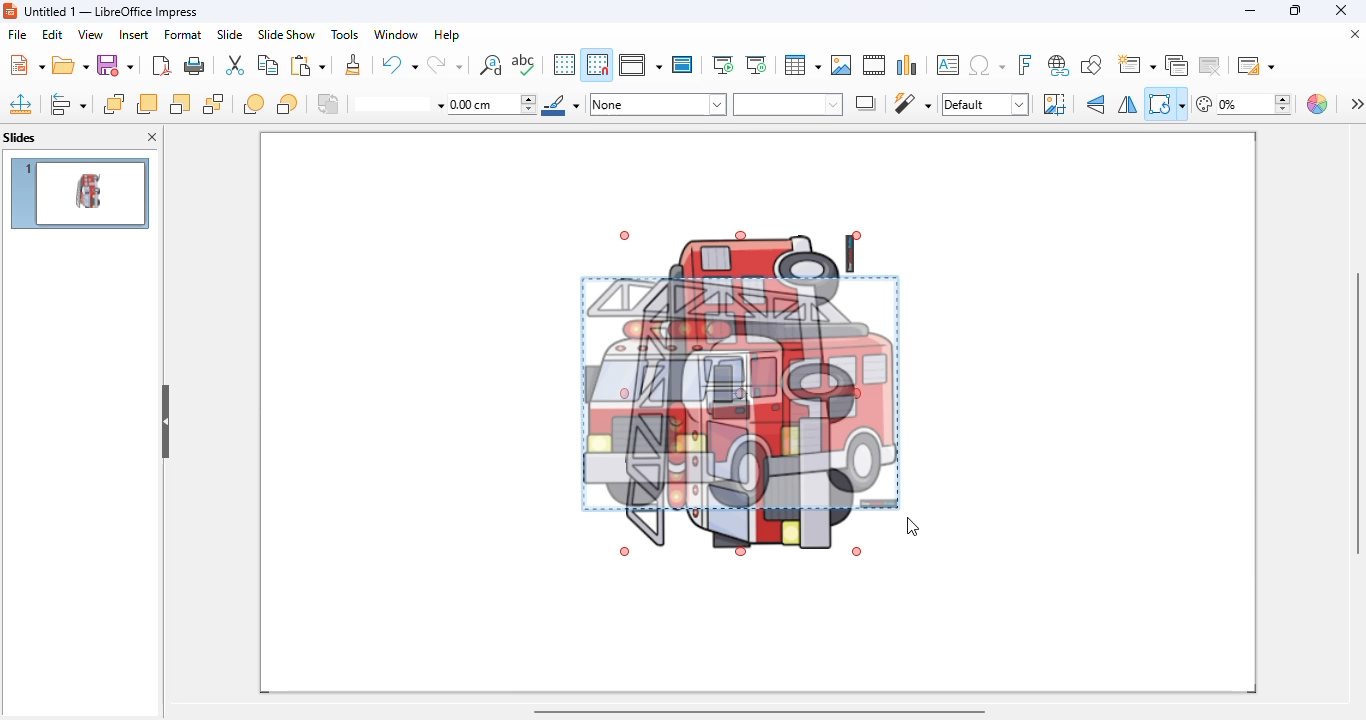 The width and height of the screenshot is (1366, 720). I want to click on help, so click(447, 34).